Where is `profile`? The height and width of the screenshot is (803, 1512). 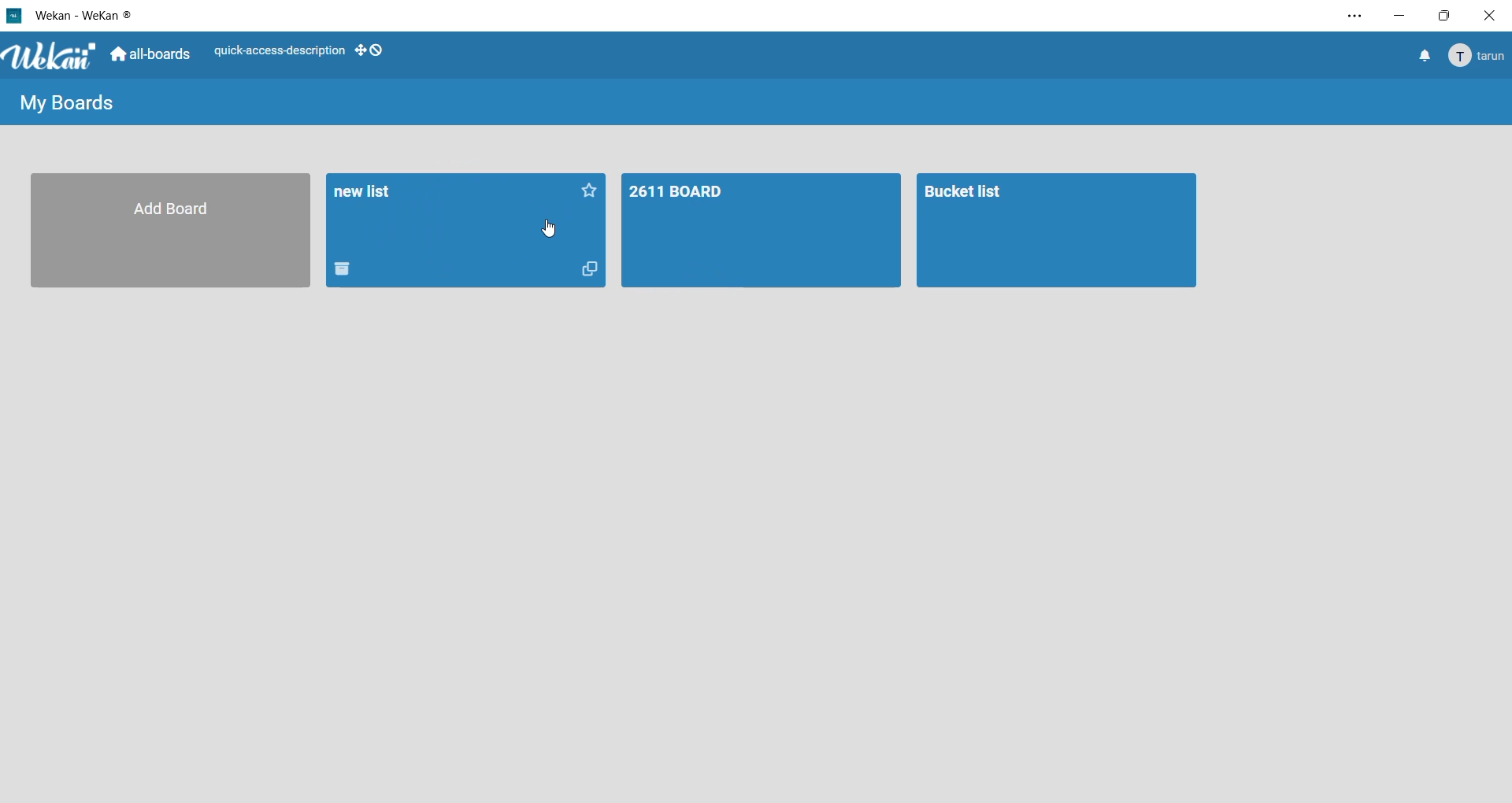 profile is located at coordinates (1479, 57).